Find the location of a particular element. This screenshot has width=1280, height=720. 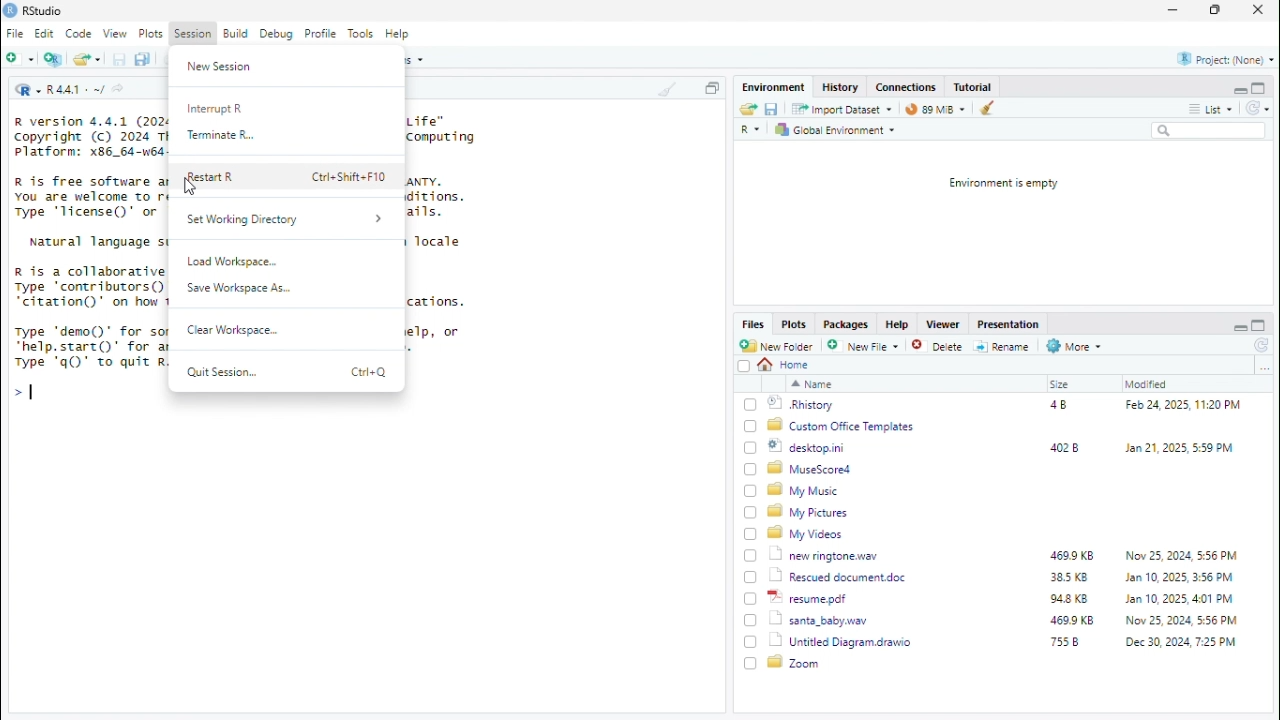

Delete is located at coordinates (939, 347).